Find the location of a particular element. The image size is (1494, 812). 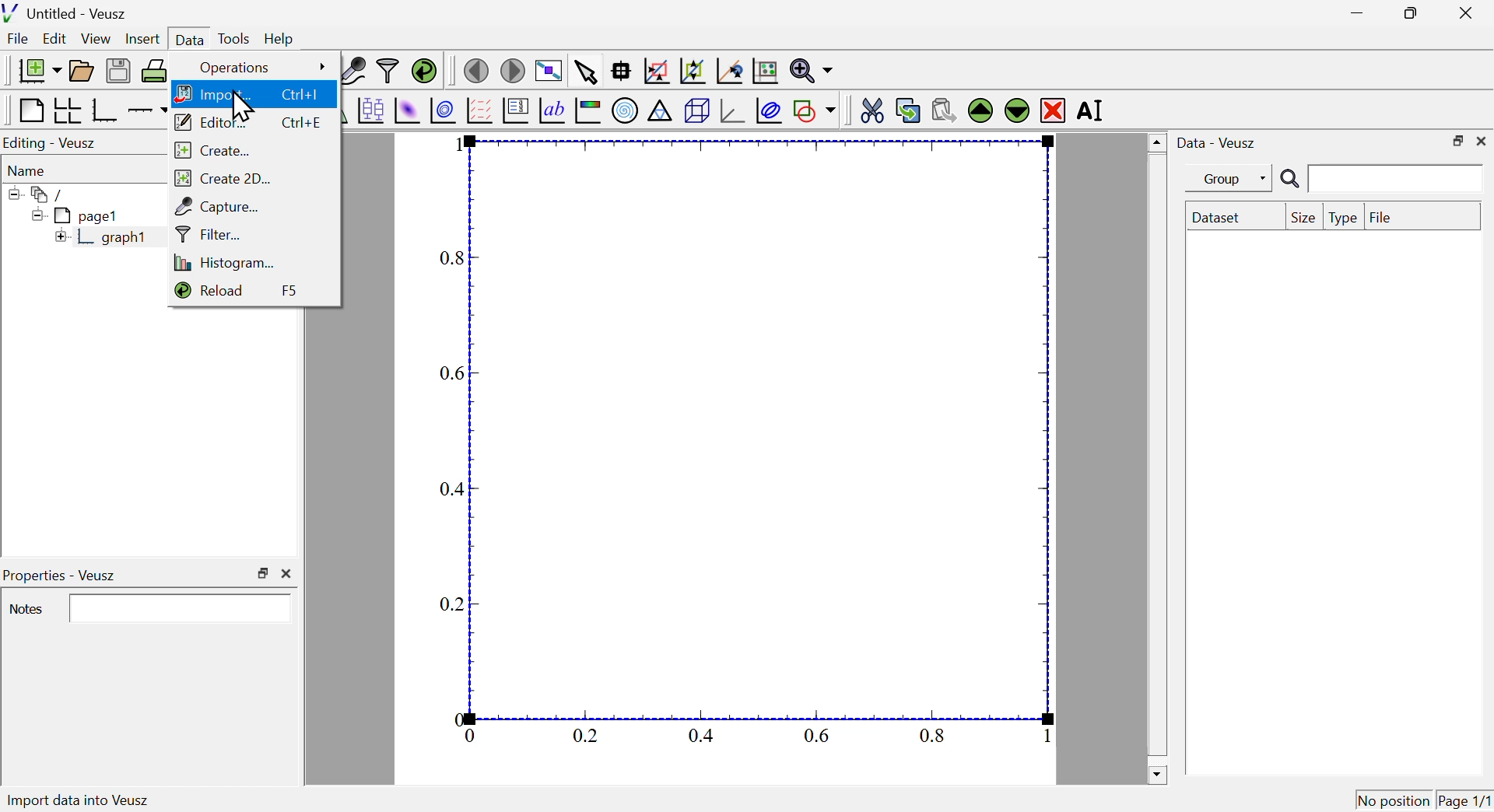

rest graph axes is located at coordinates (763, 72).